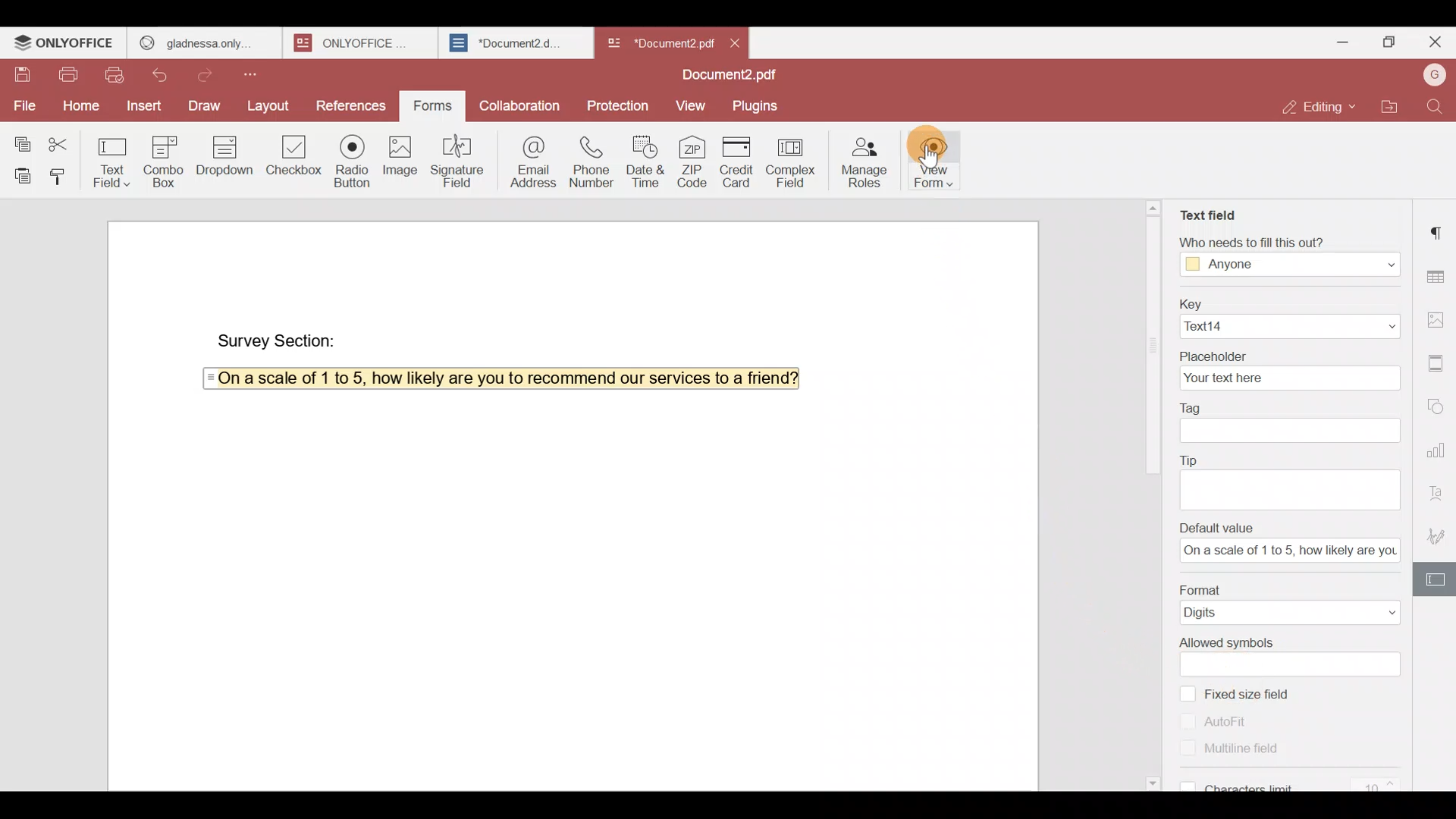 Image resolution: width=1456 pixels, height=819 pixels. Describe the element at coordinates (736, 42) in the screenshot. I see `Close` at that location.